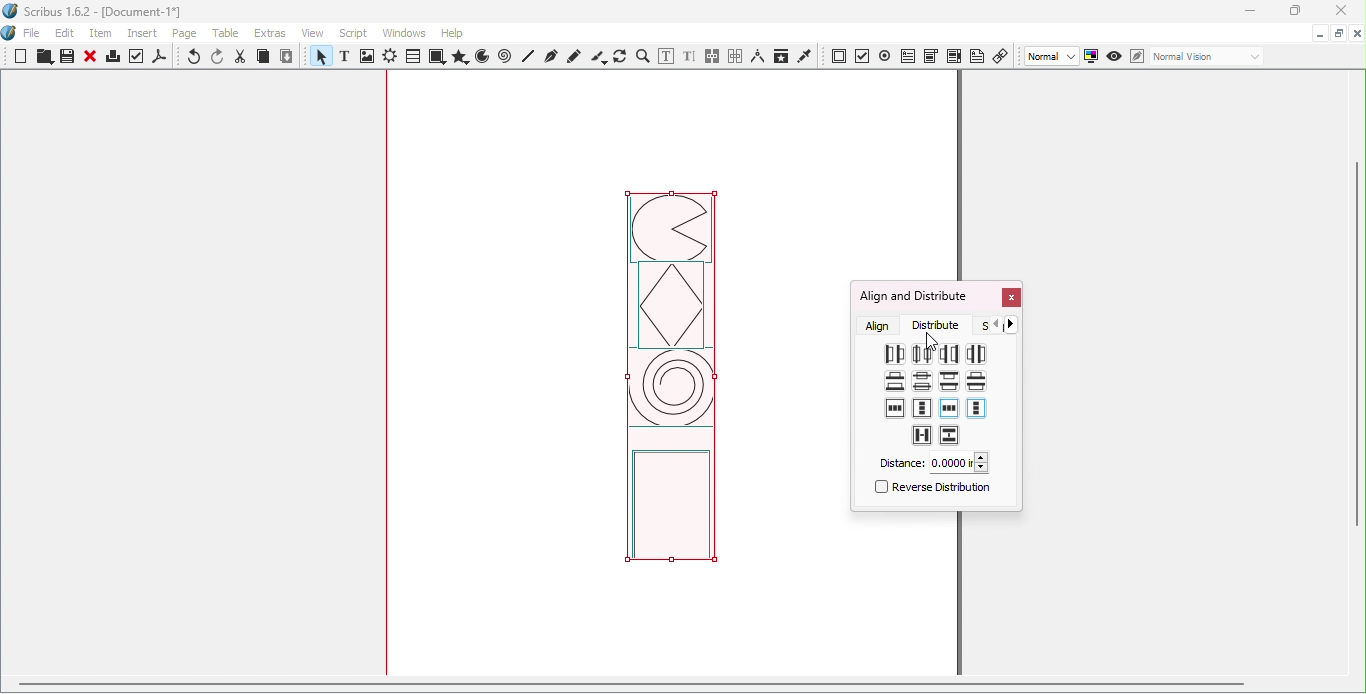 This screenshot has width=1366, height=694. I want to click on Make horizontal gaps between and sides of page equal, so click(896, 408).